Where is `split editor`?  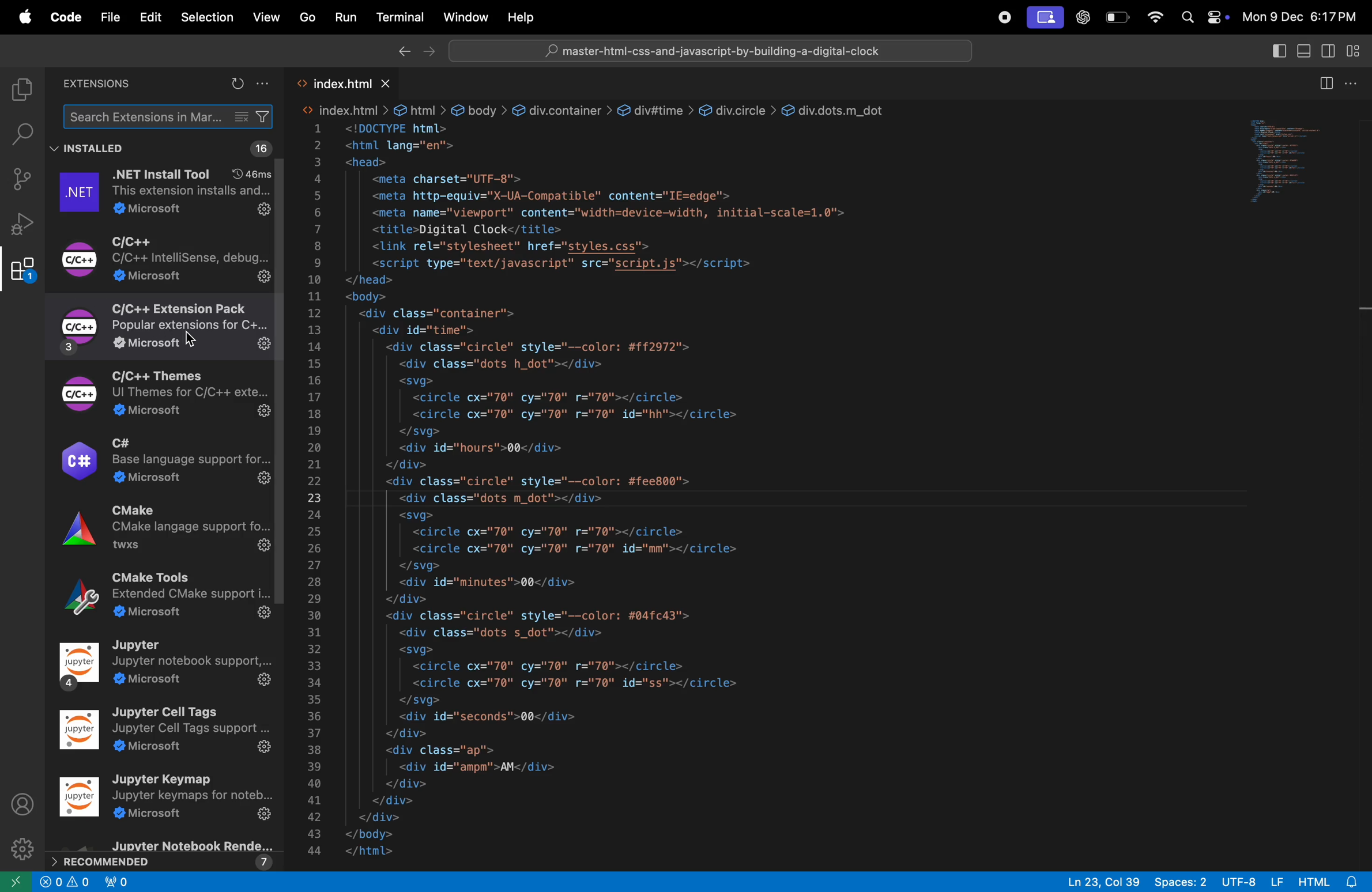 split editor is located at coordinates (1322, 83).